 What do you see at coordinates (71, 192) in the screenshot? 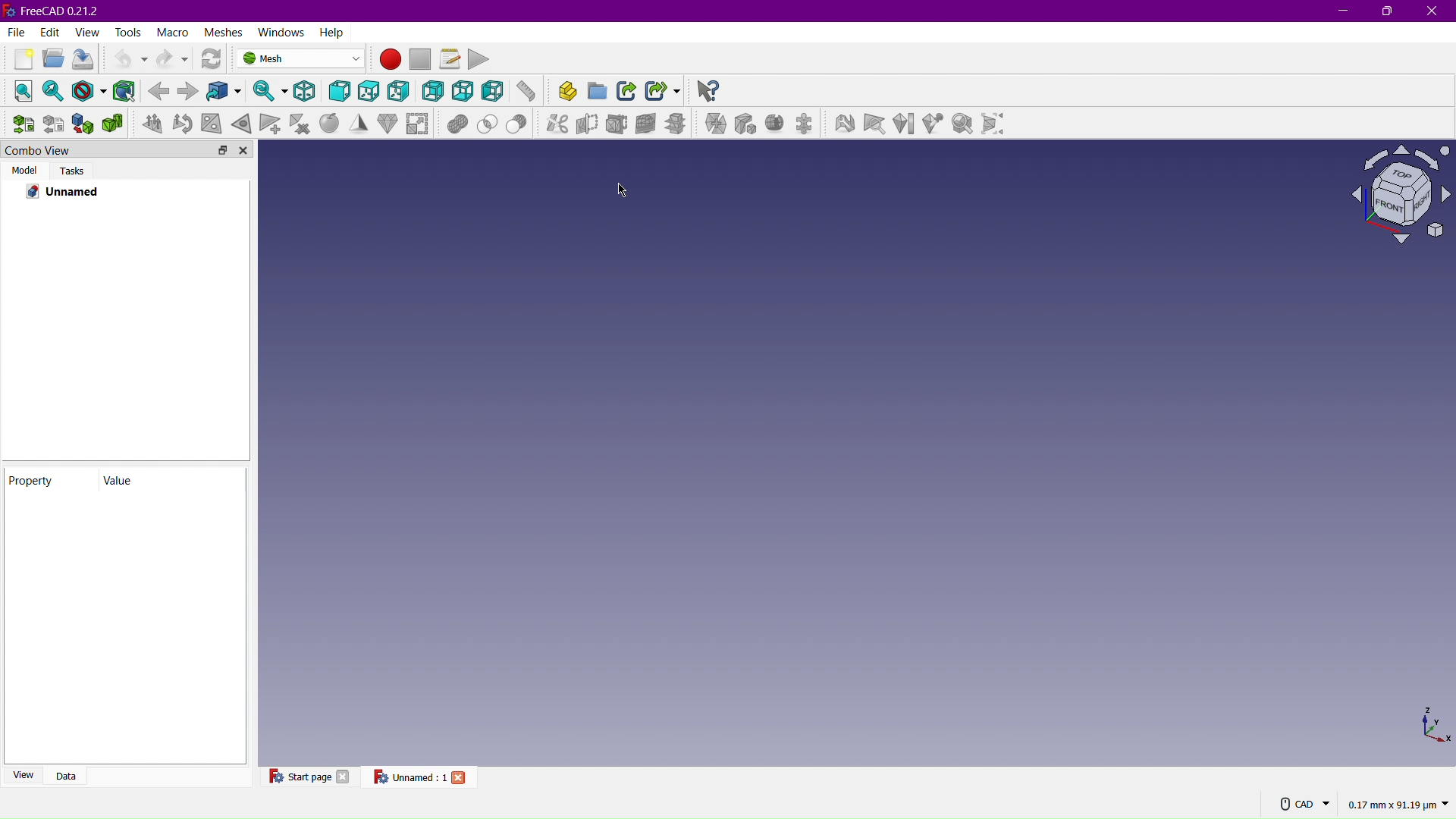
I see `Unnamed` at bounding box center [71, 192].